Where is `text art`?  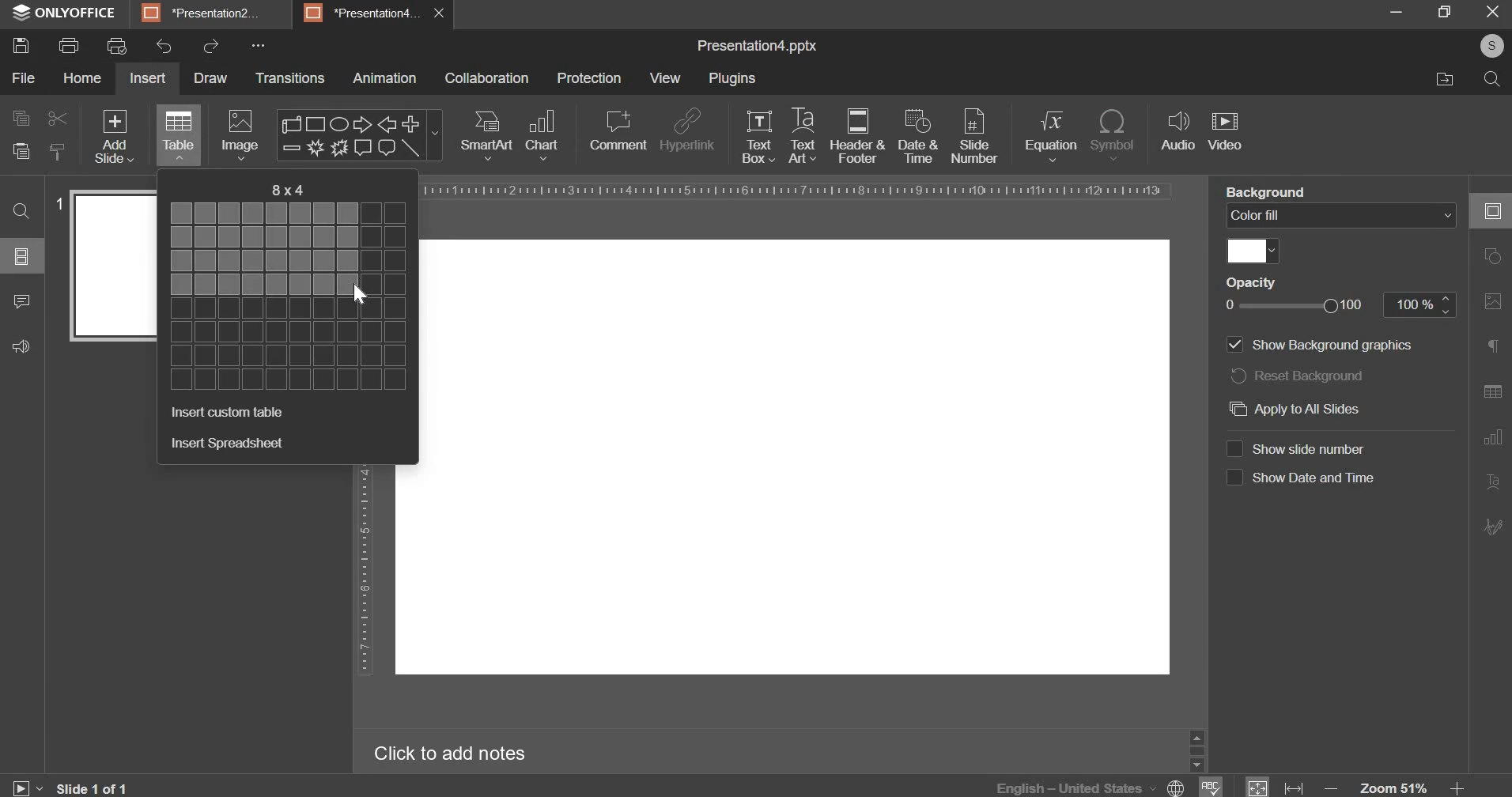 text art is located at coordinates (802, 134).